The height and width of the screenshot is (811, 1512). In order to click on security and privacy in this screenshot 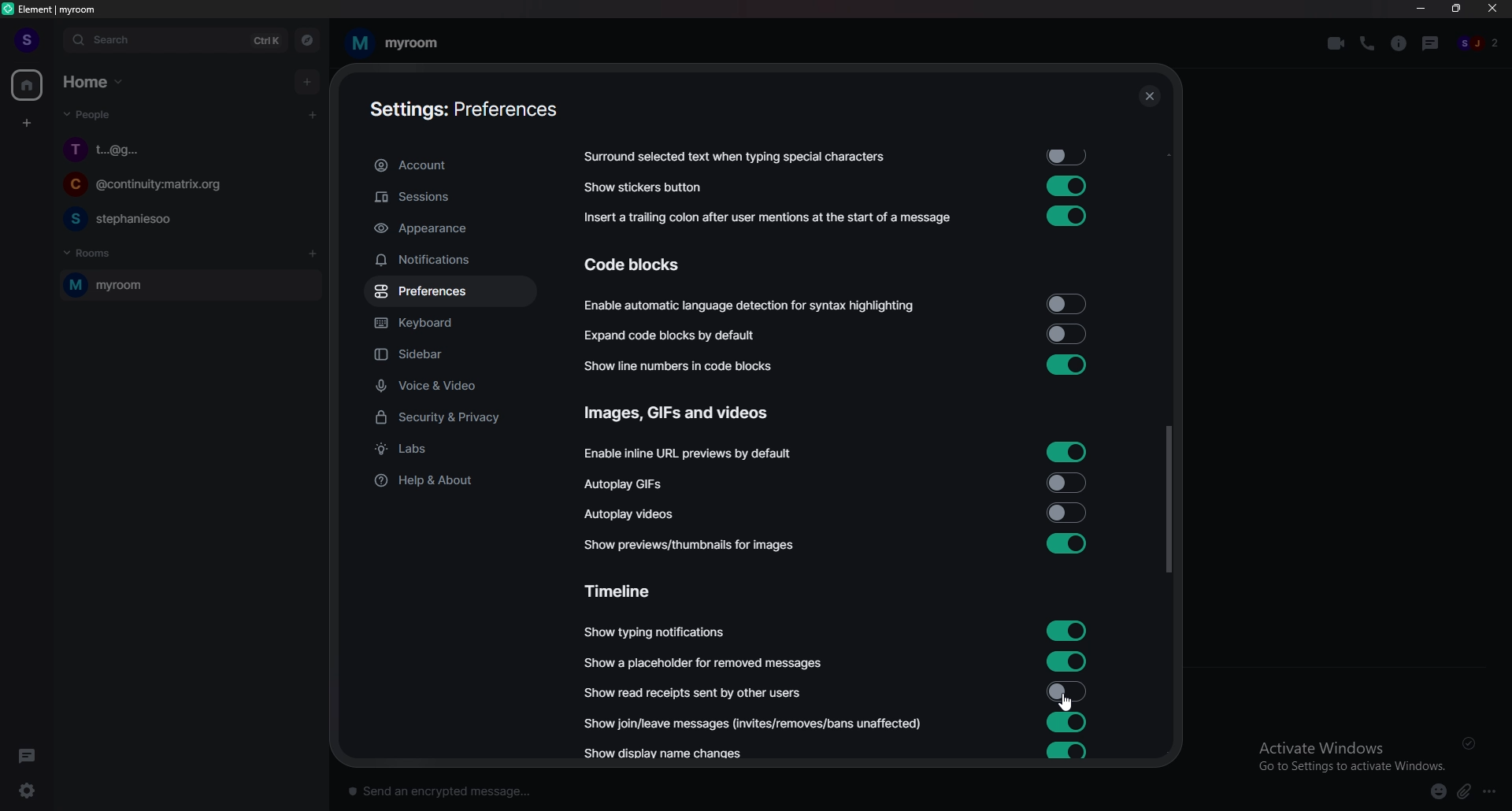, I will do `click(451, 419)`.